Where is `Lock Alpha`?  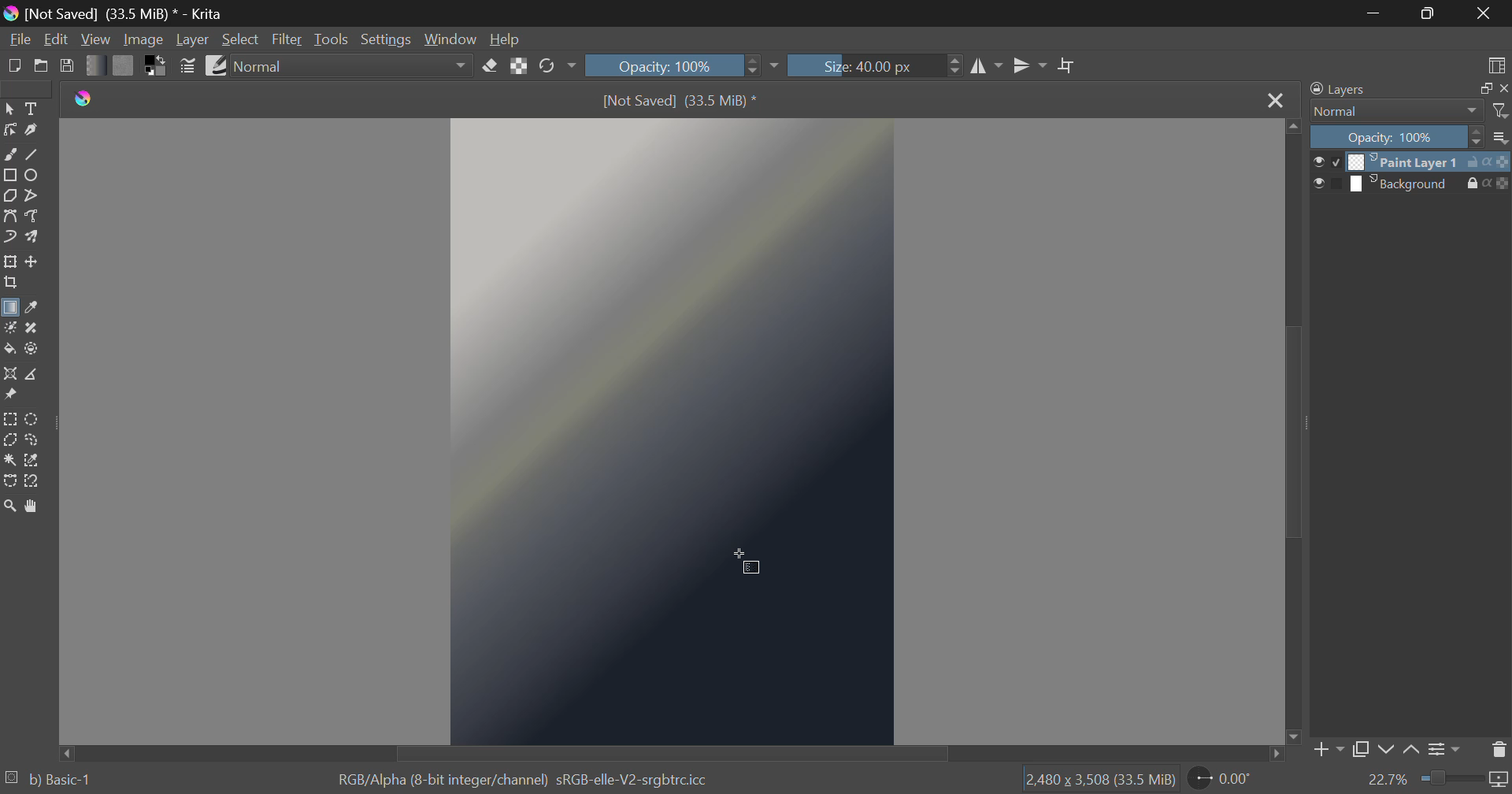
Lock Alpha is located at coordinates (518, 66).